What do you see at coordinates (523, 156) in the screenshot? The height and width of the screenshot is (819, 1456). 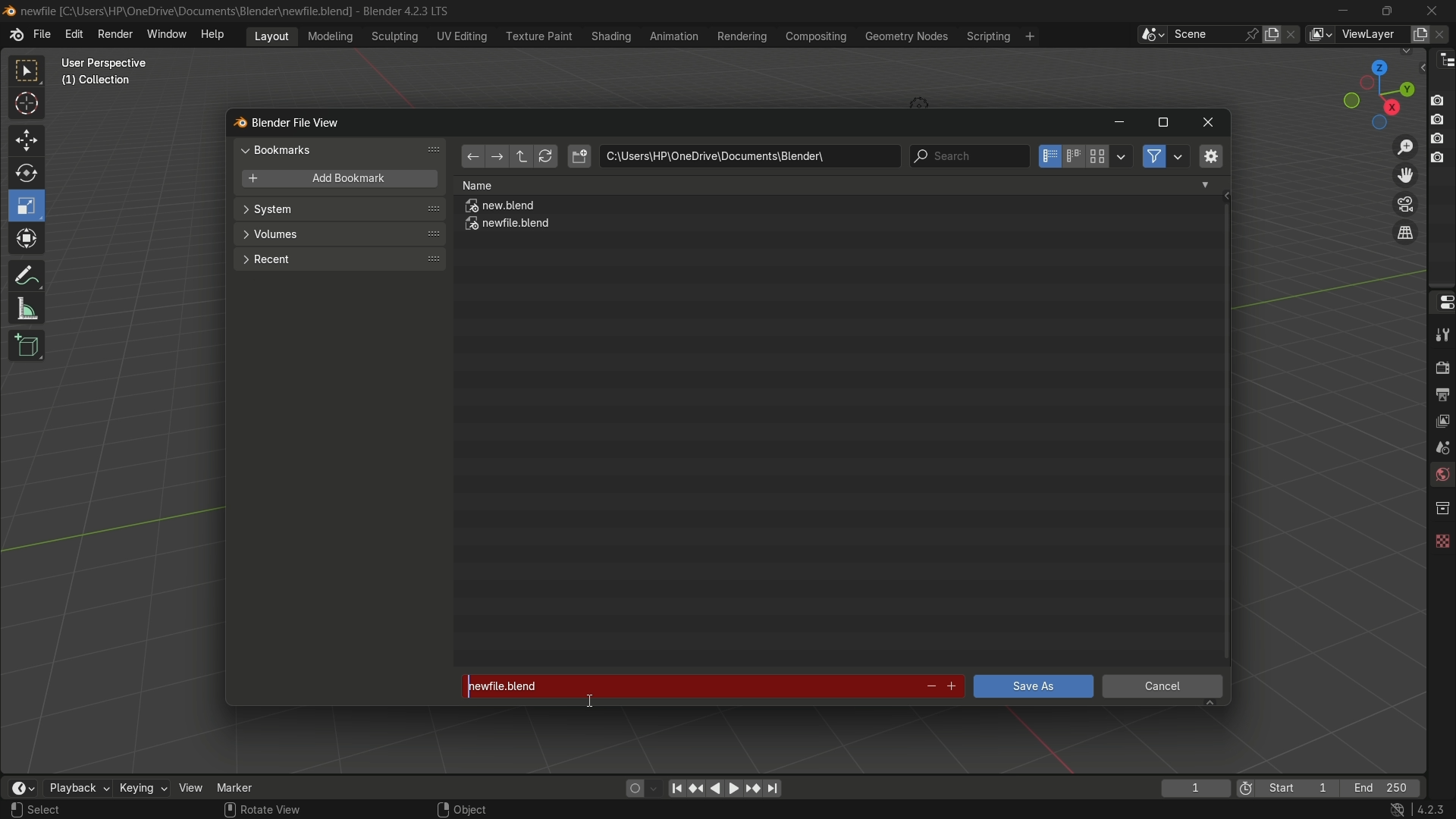 I see `parent directory` at bounding box center [523, 156].